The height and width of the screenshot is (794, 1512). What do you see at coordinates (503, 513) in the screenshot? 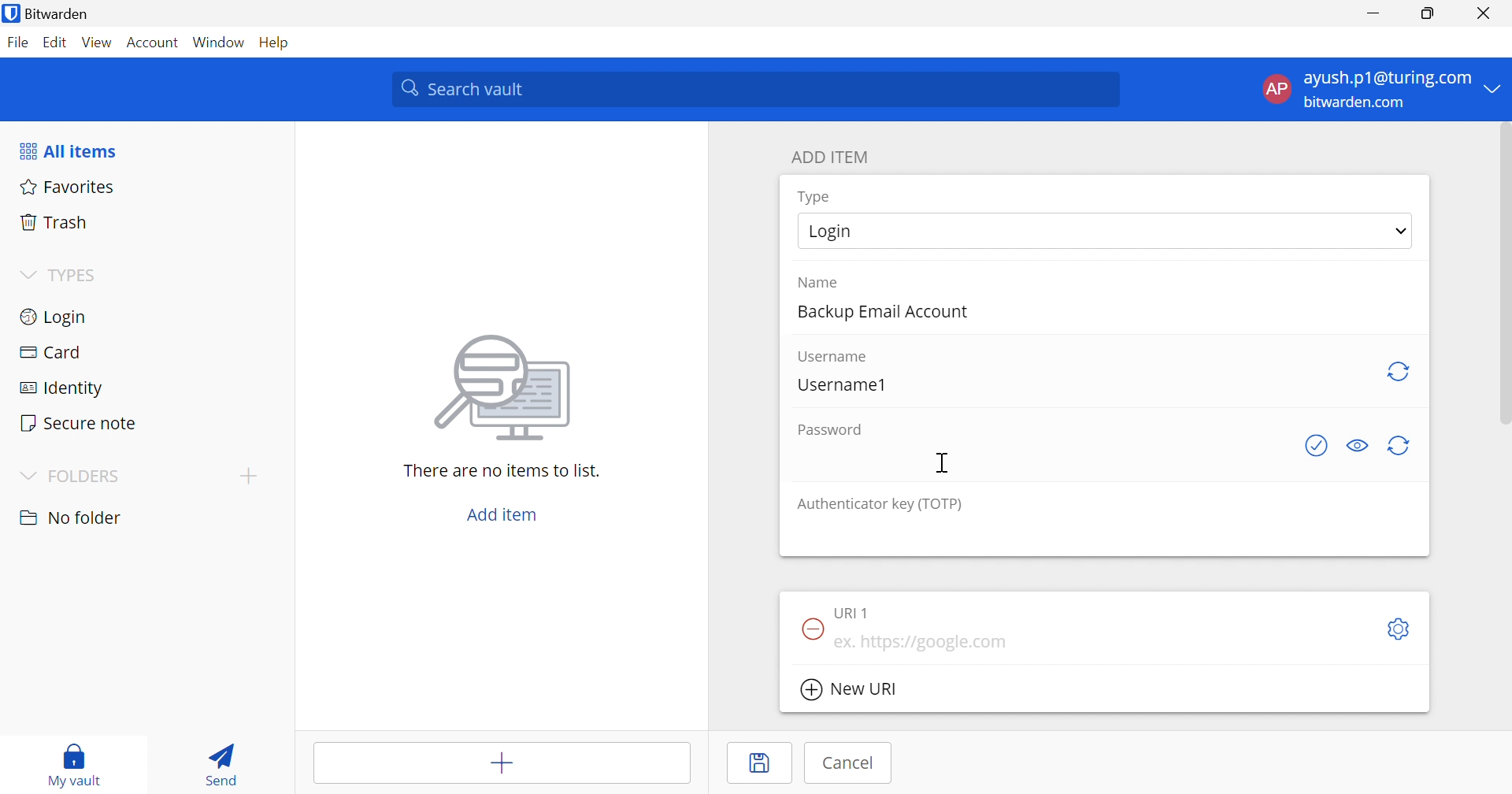
I see `Add item` at bounding box center [503, 513].